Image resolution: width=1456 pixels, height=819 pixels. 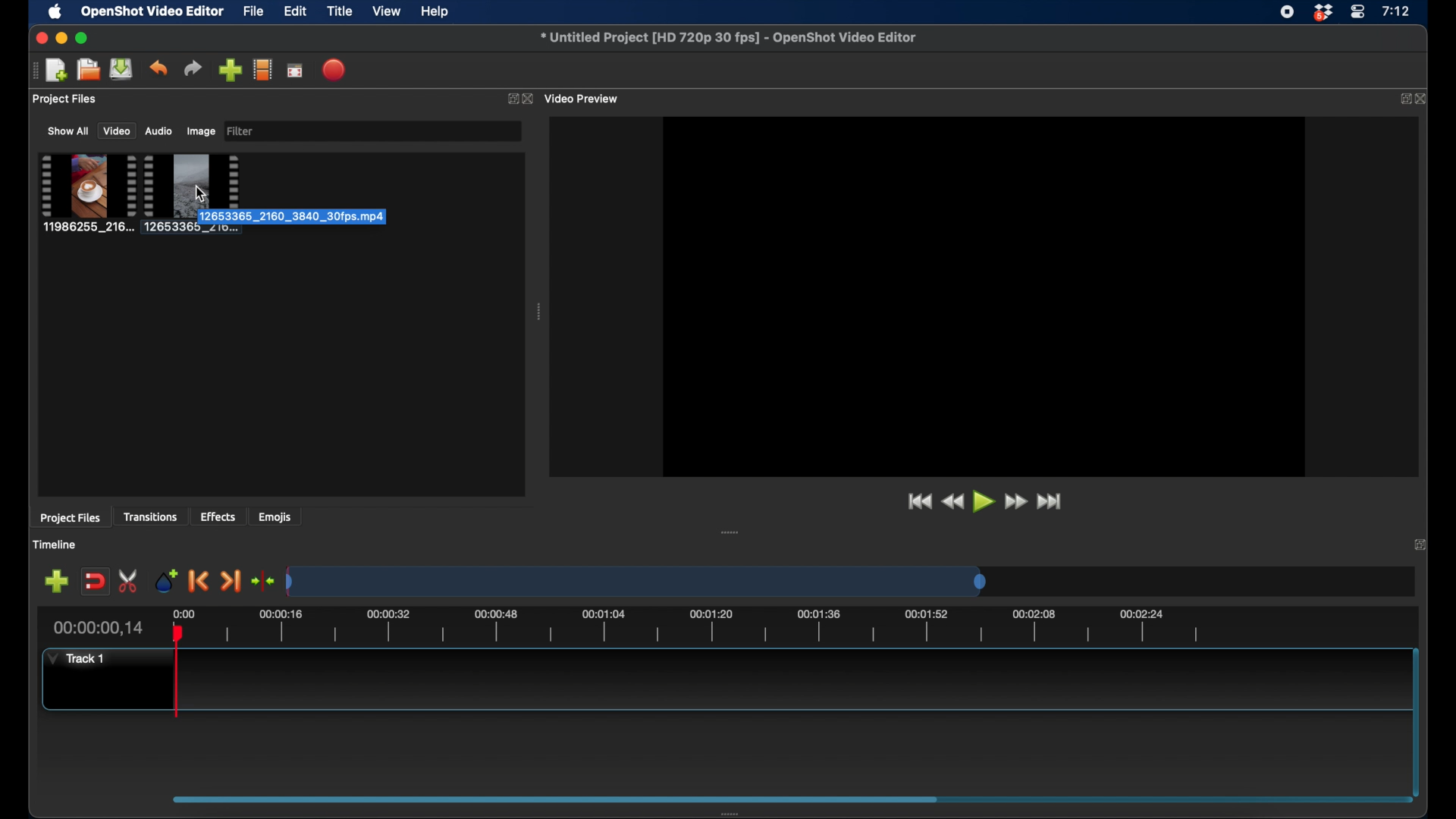 I want to click on drag handle, so click(x=30, y=71).